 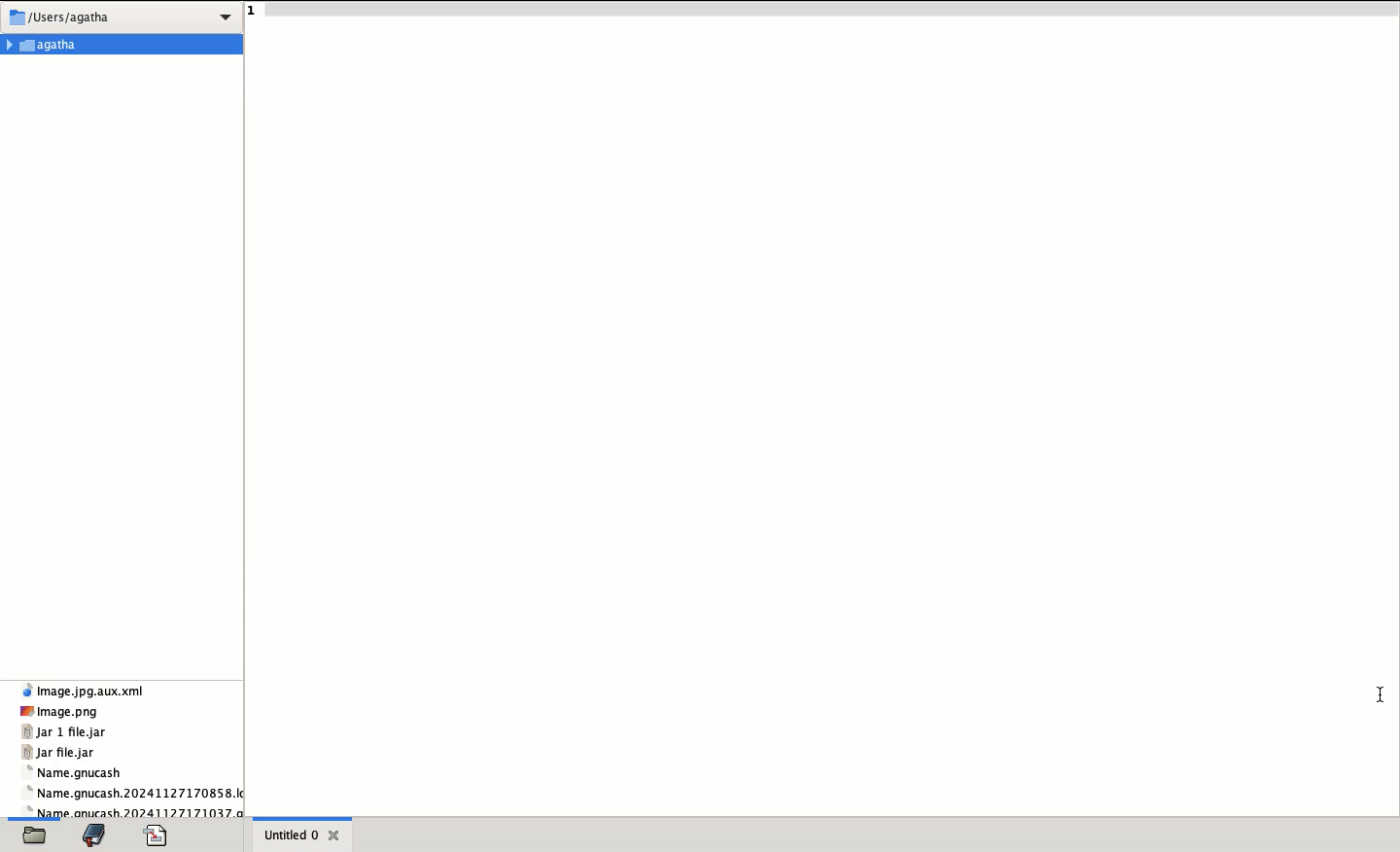 I want to click on Name.gnucash. 2024 1127 1708 58, so click(x=137, y=794).